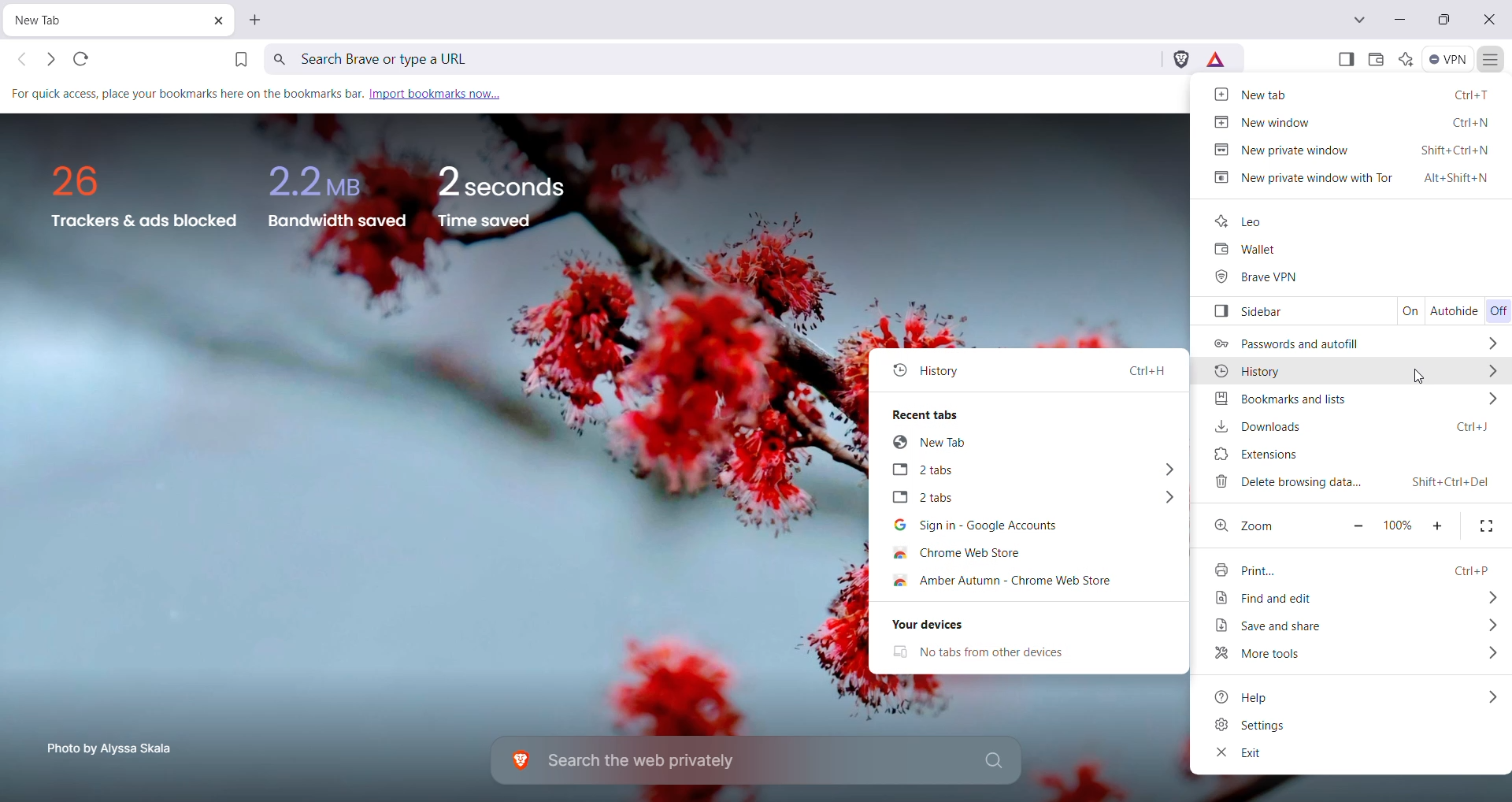  What do you see at coordinates (1354, 654) in the screenshot?
I see `More tools` at bounding box center [1354, 654].